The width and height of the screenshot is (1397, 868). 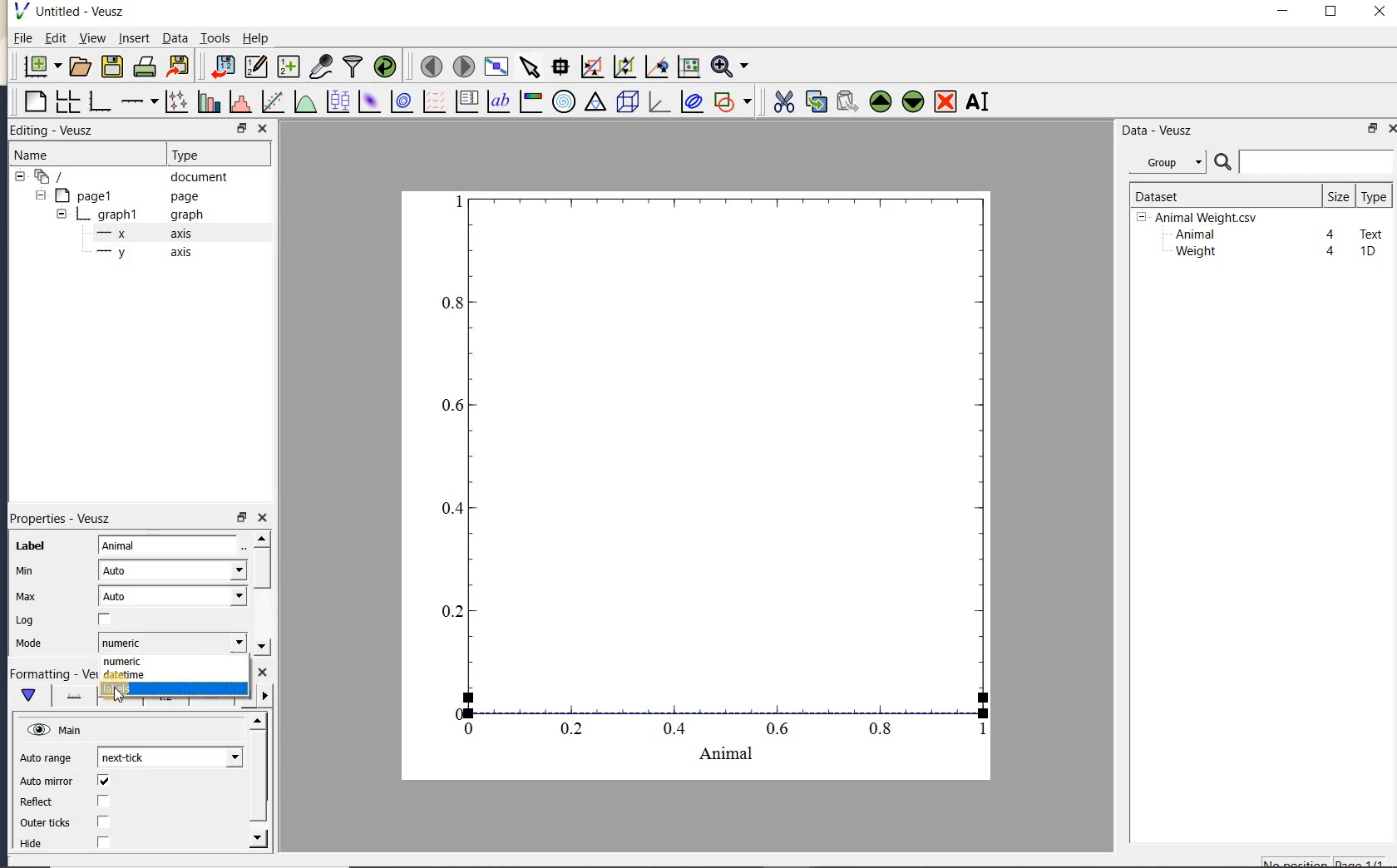 I want to click on Min, so click(x=27, y=571).